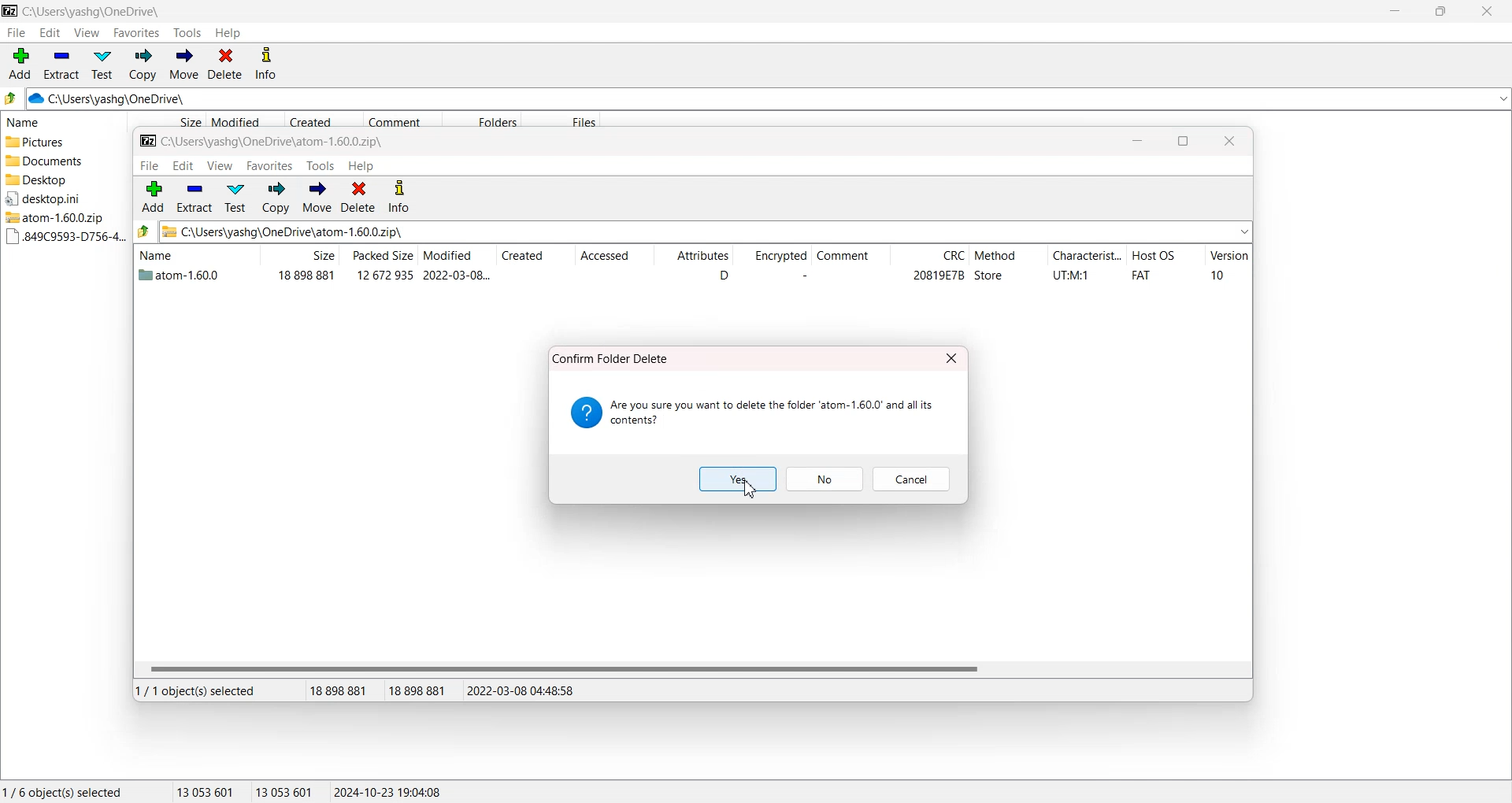 Image resolution: width=1512 pixels, height=803 pixels. I want to click on move, so click(317, 198).